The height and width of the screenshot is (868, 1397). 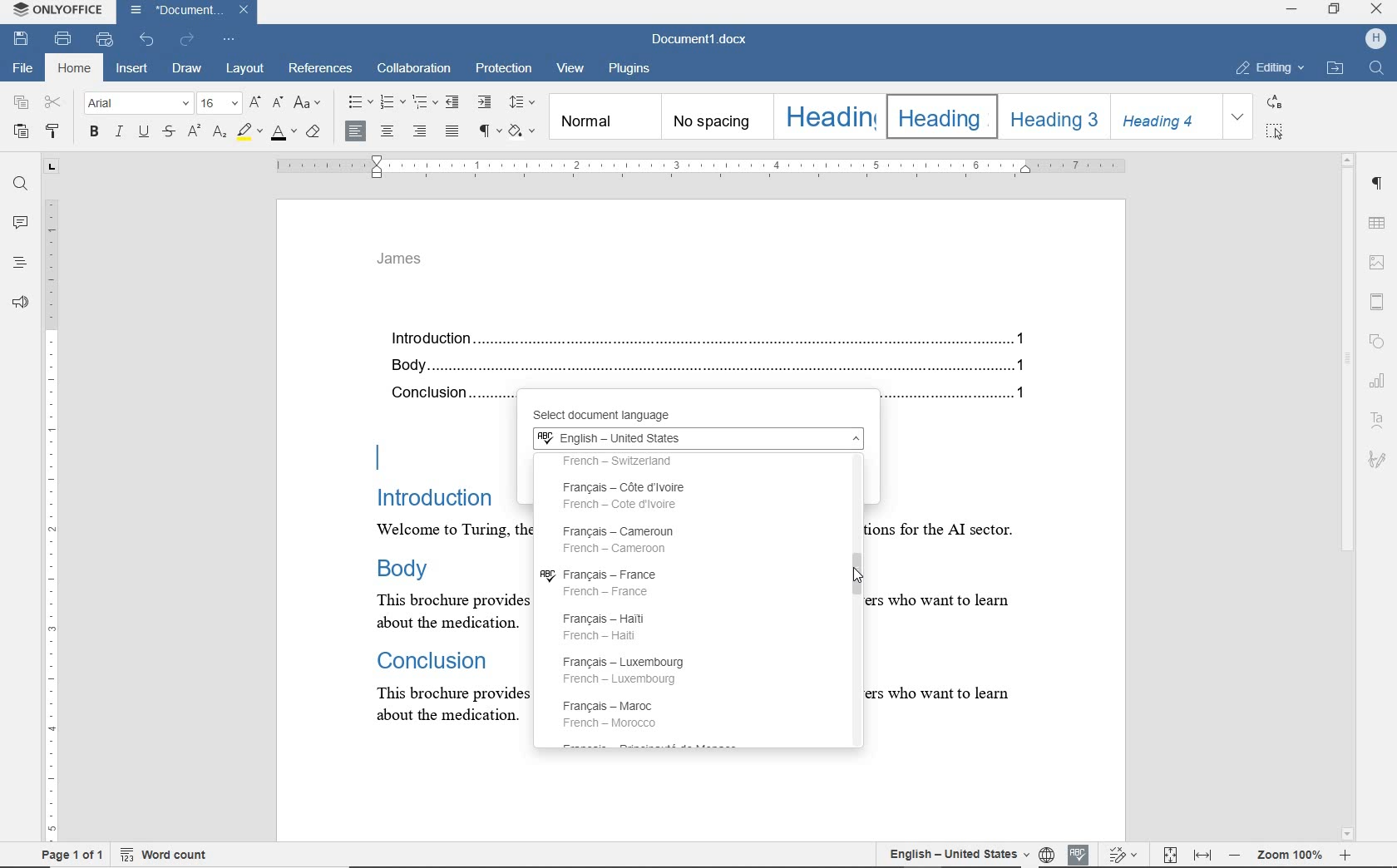 I want to click on shading, so click(x=525, y=131).